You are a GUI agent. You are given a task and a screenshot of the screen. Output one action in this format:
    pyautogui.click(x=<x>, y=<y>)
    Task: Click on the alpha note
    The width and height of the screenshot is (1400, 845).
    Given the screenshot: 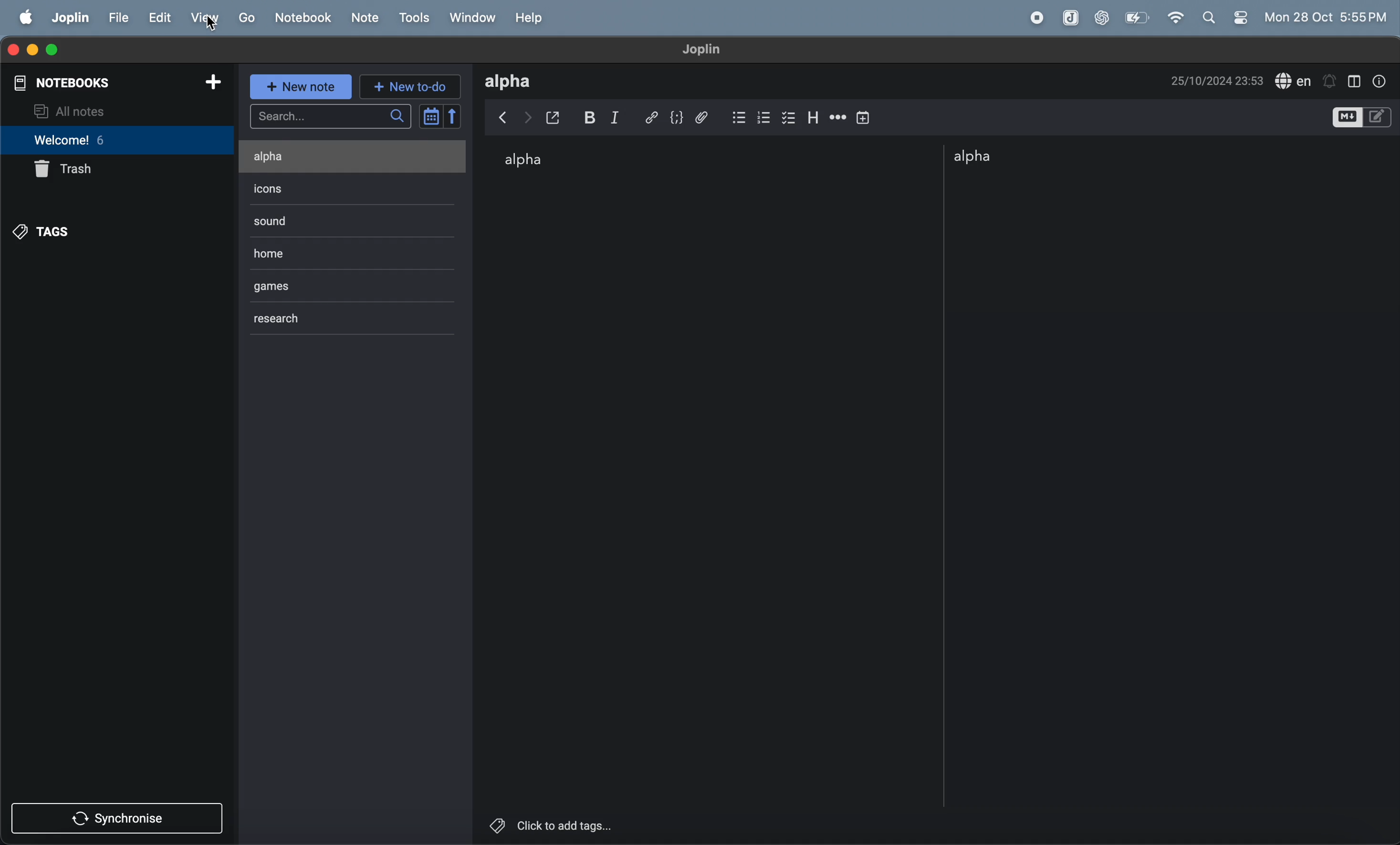 What is the action you would take?
    pyautogui.click(x=1002, y=157)
    